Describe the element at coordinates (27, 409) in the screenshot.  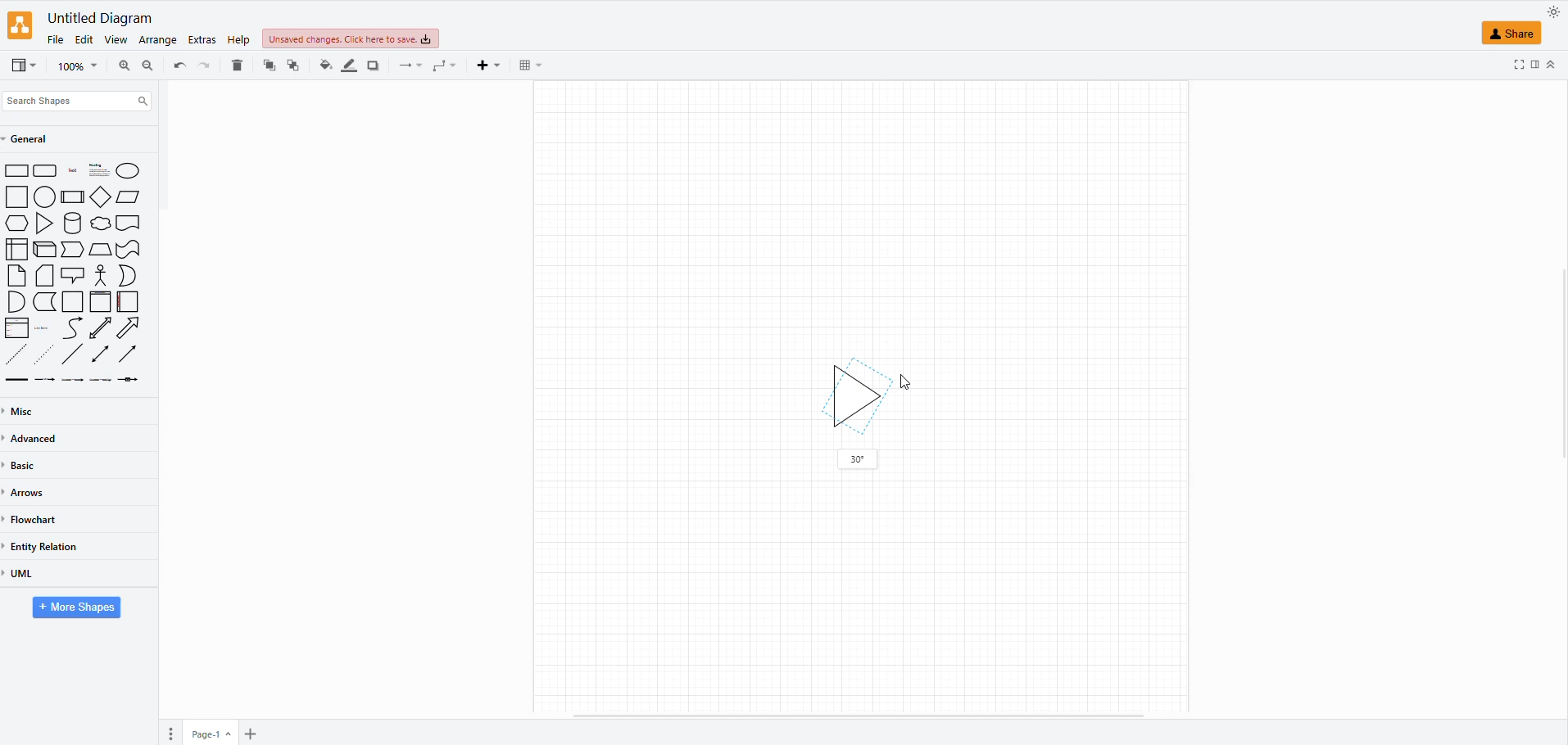
I see `miscellaneous` at that location.